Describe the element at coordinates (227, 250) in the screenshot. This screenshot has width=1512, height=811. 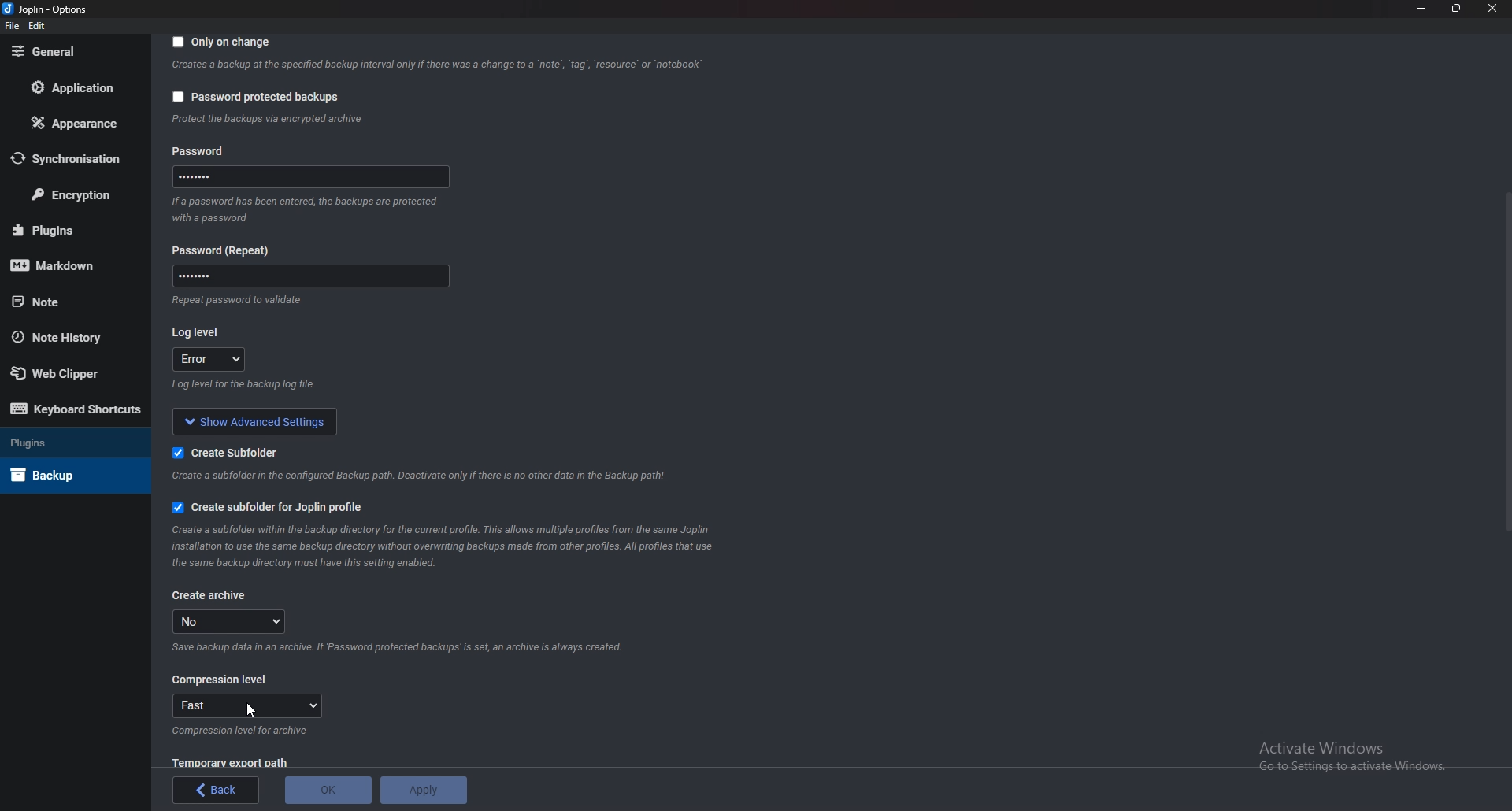
I see `Password` at that location.